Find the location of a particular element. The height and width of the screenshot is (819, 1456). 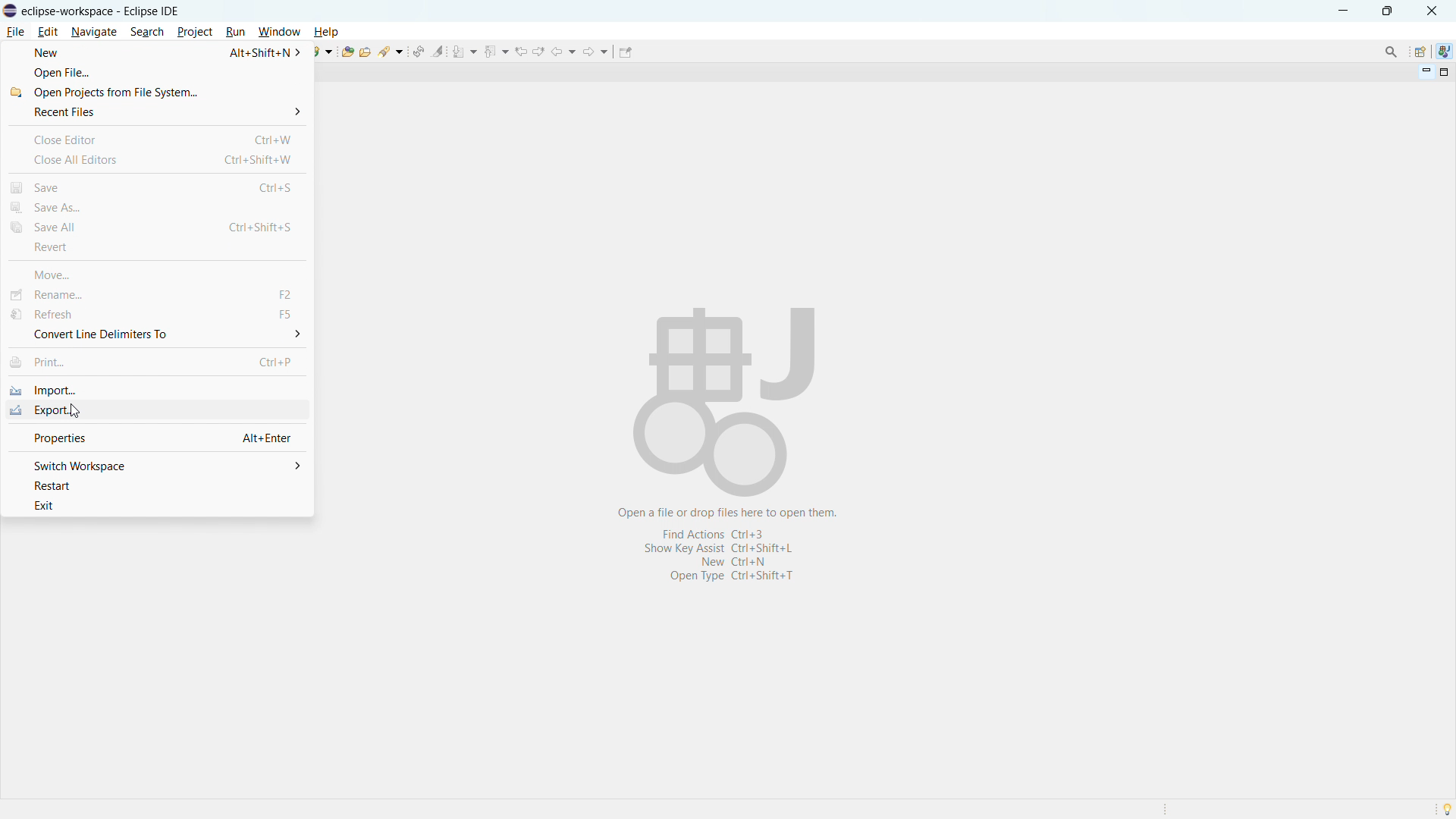

next annotation is located at coordinates (465, 52).